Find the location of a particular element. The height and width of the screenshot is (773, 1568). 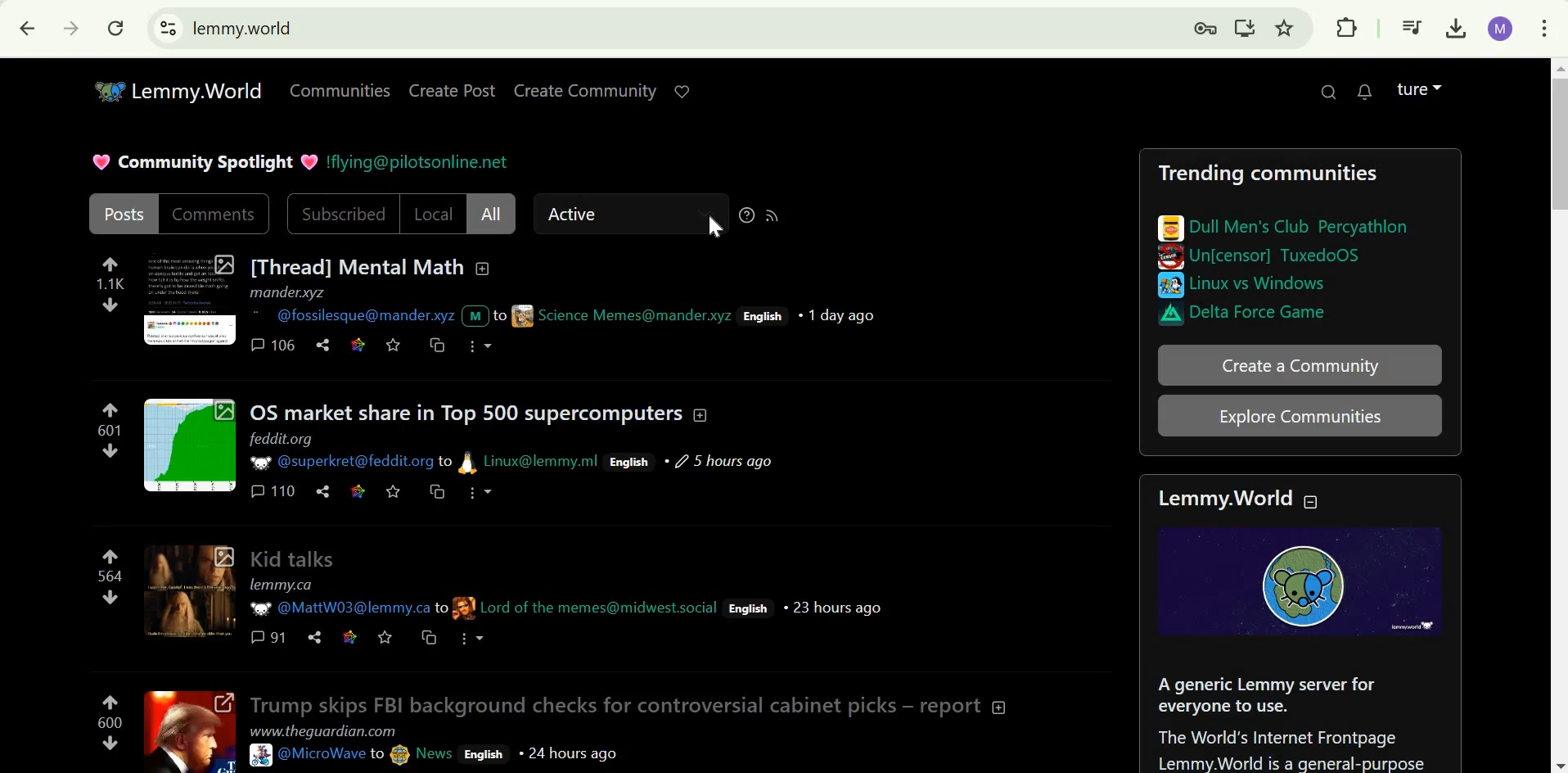

Customize and control Google Chrome is located at coordinates (1548, 29).